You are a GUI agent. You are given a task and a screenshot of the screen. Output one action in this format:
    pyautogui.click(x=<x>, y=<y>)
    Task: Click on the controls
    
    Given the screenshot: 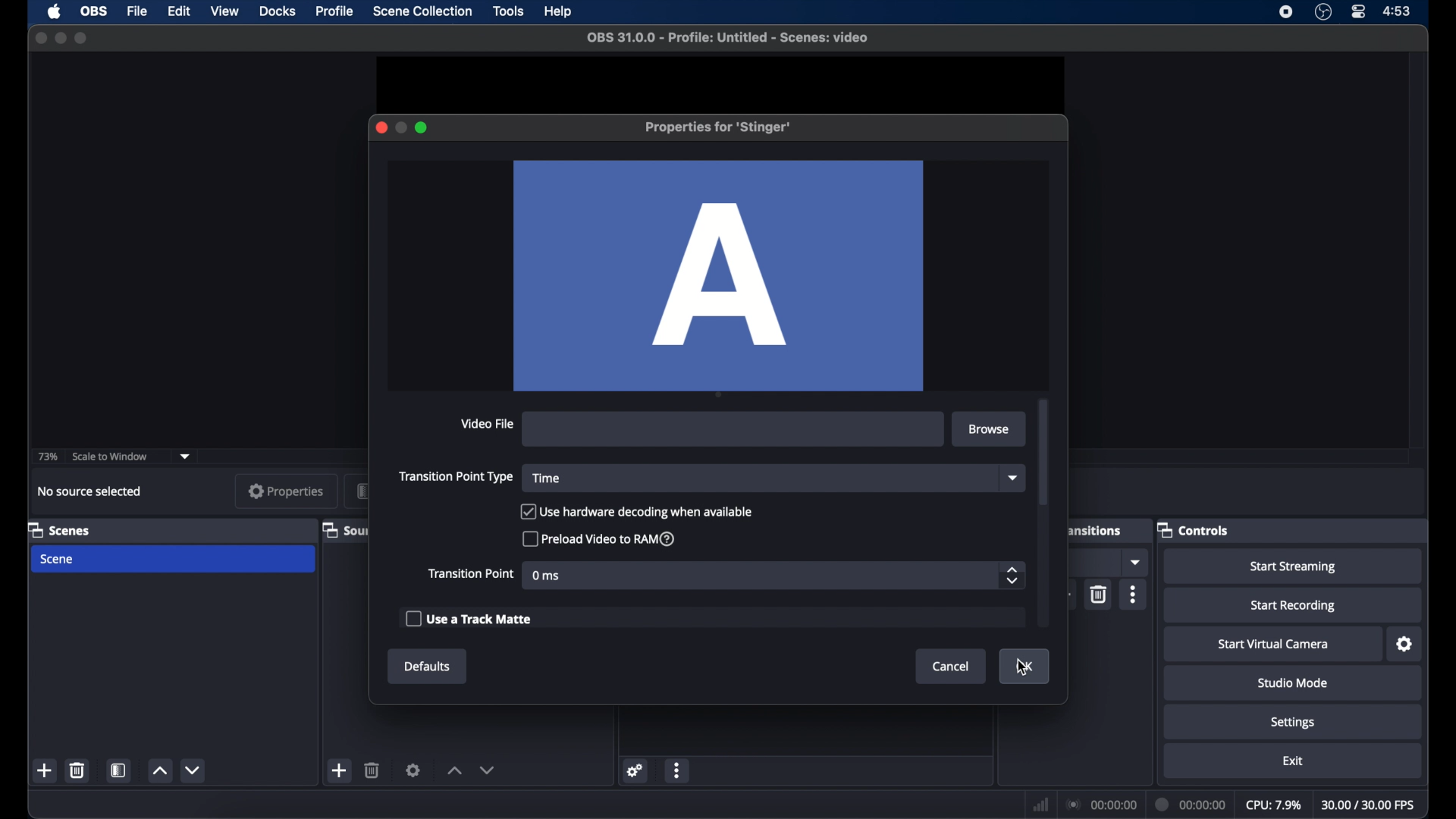 What is the action you would take?
    pyautogui.click(x=1193, y=529)
    